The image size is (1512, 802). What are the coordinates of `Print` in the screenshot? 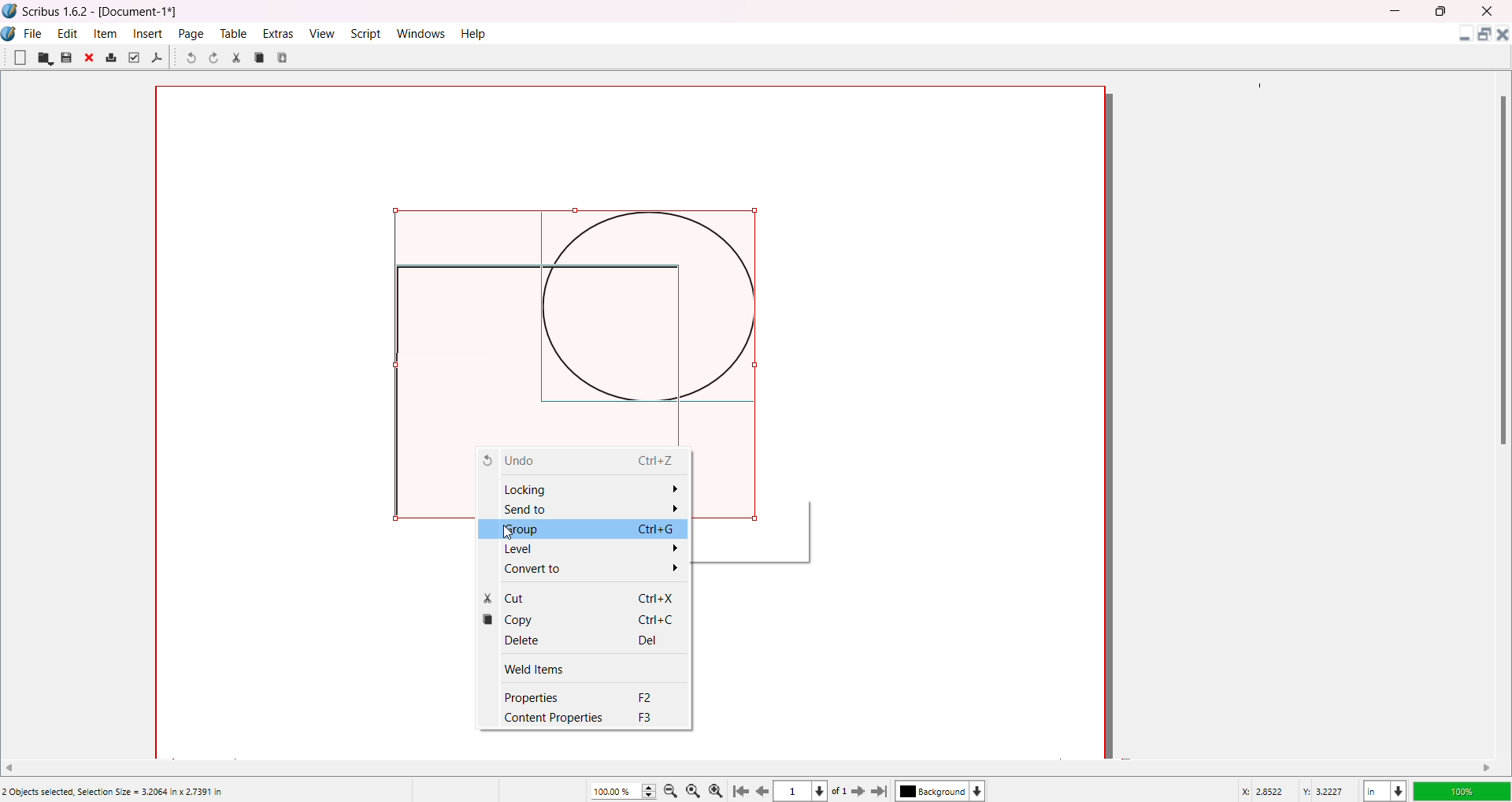 It's located at (111, 58).